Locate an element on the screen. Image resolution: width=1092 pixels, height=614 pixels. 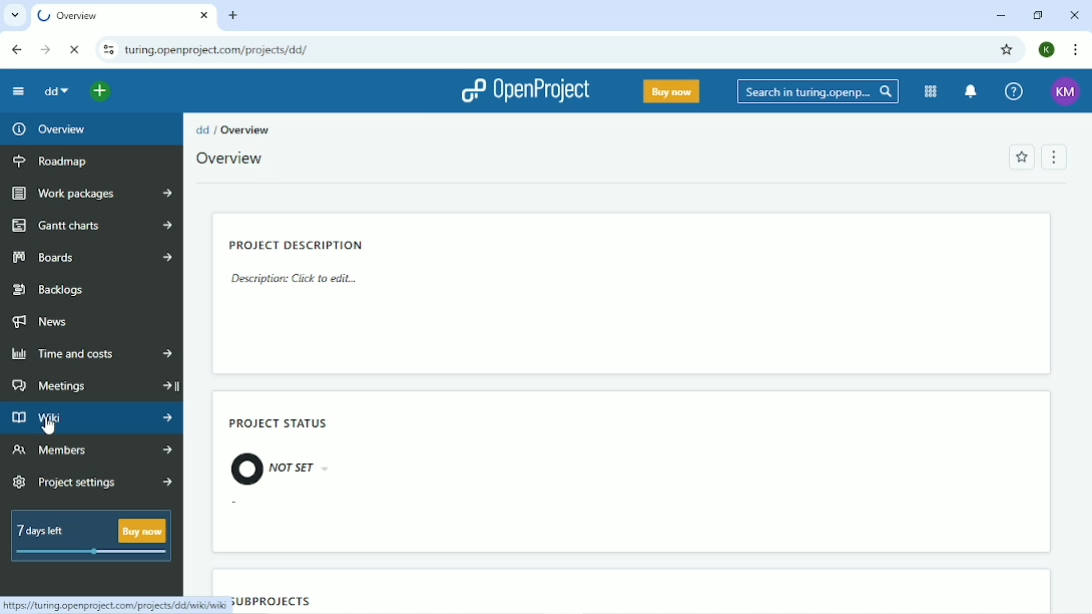
View site information is located at coordinates (106, 50).